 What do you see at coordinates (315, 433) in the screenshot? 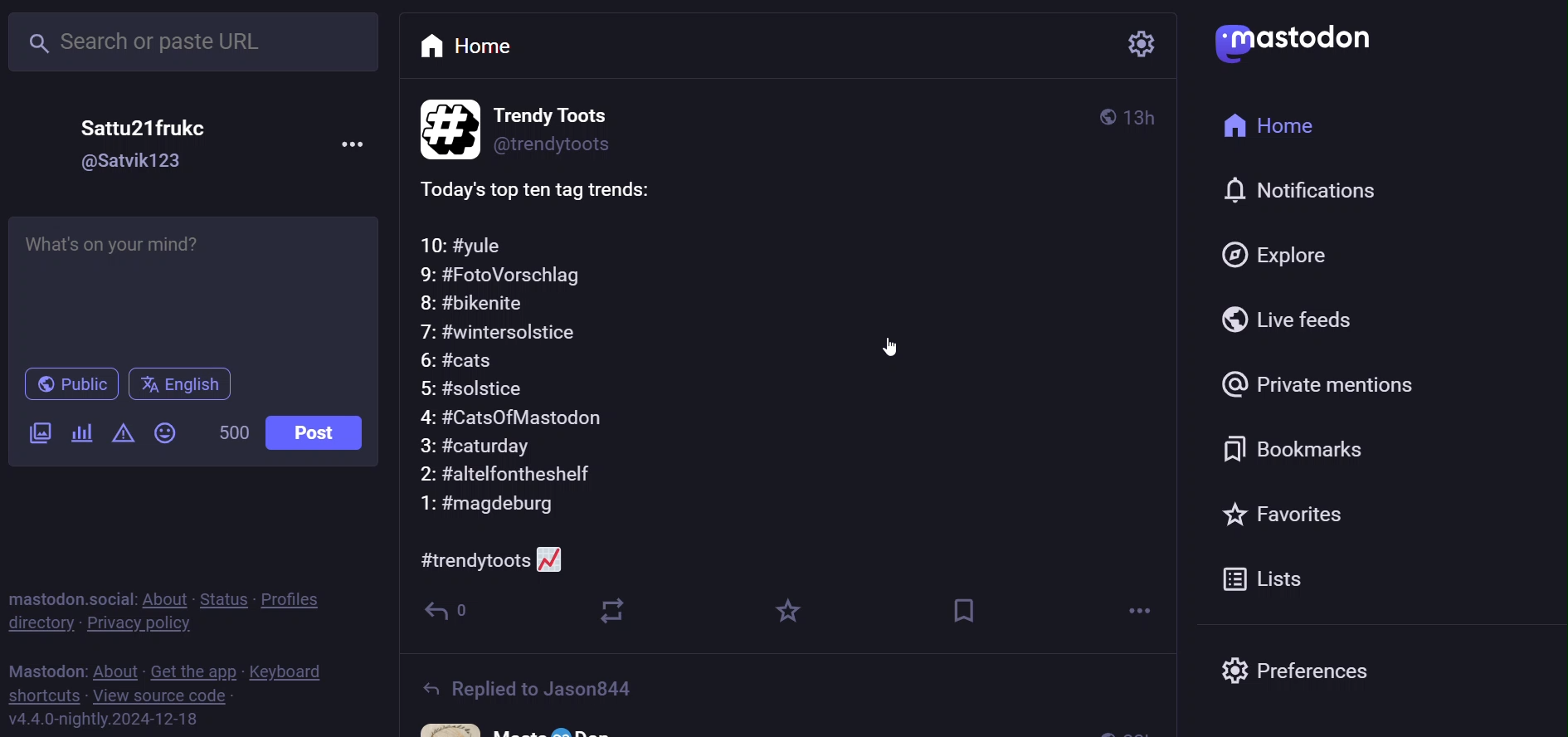
I see `post` at bounding box center [315, 433].